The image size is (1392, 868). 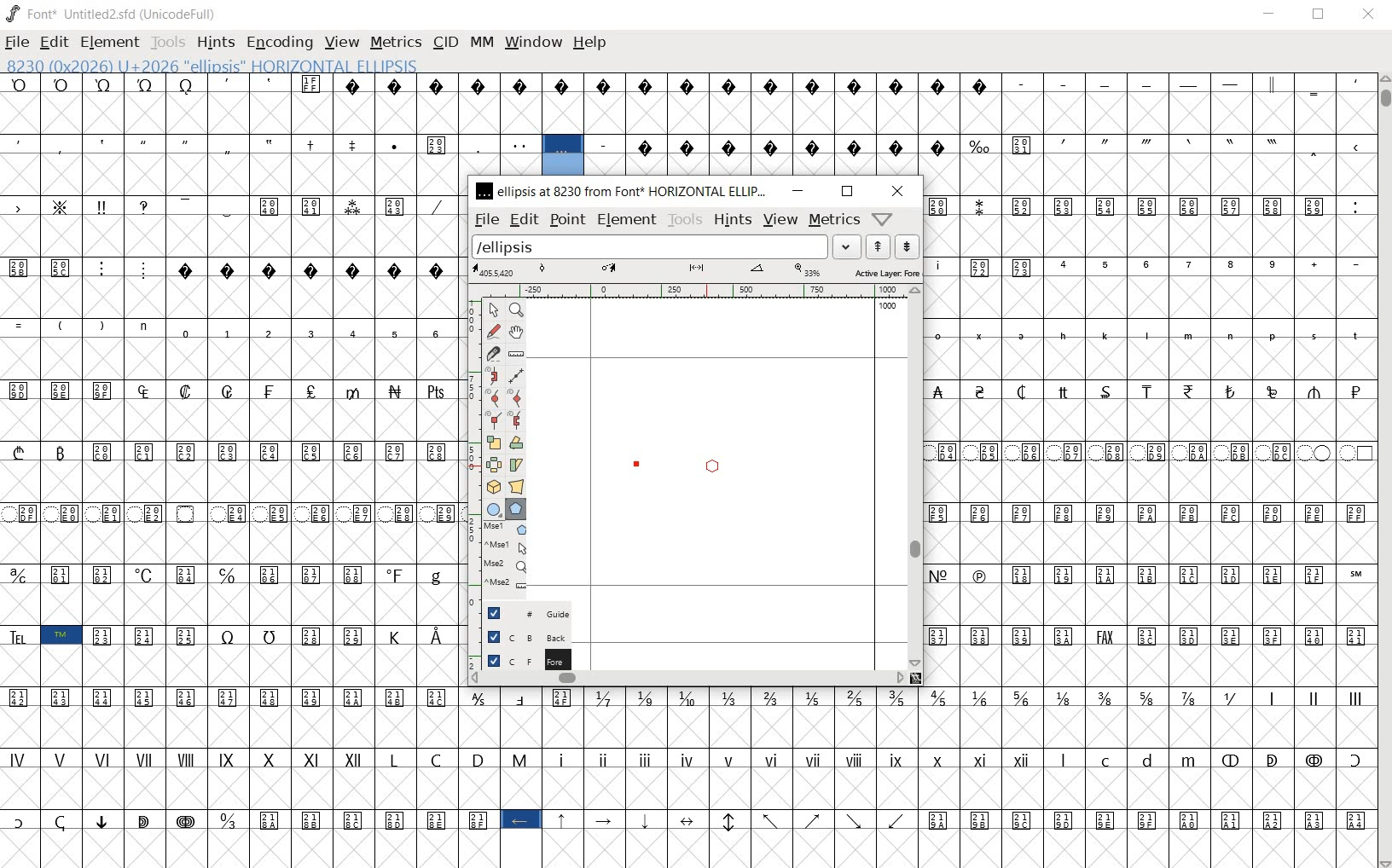 What do you see at coordinates (515, 510) in the screenshot?
I see `polygon or star` at bounding box center [515, 510].